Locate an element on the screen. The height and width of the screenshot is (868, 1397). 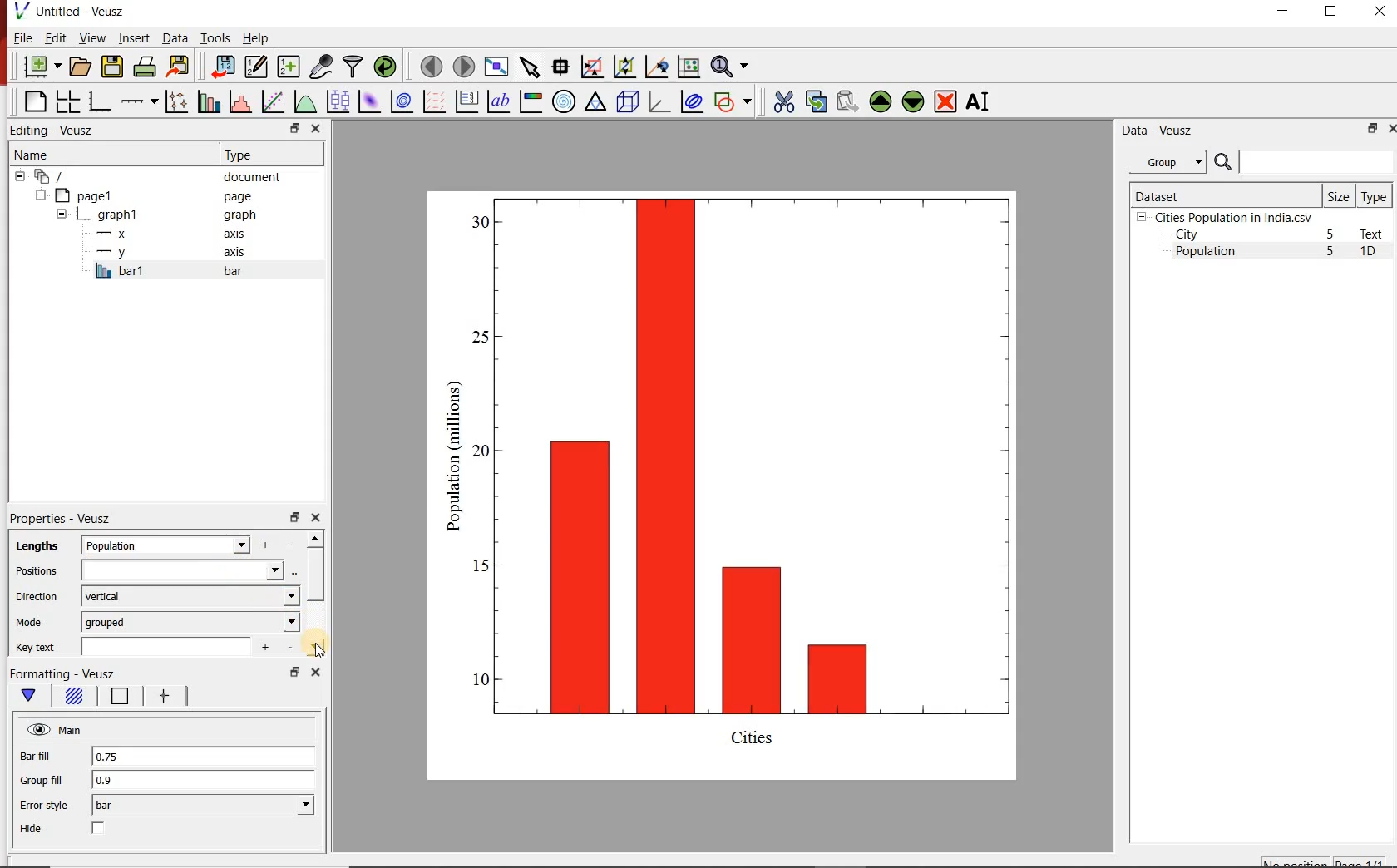
restore is located at coordinates (294, 128).